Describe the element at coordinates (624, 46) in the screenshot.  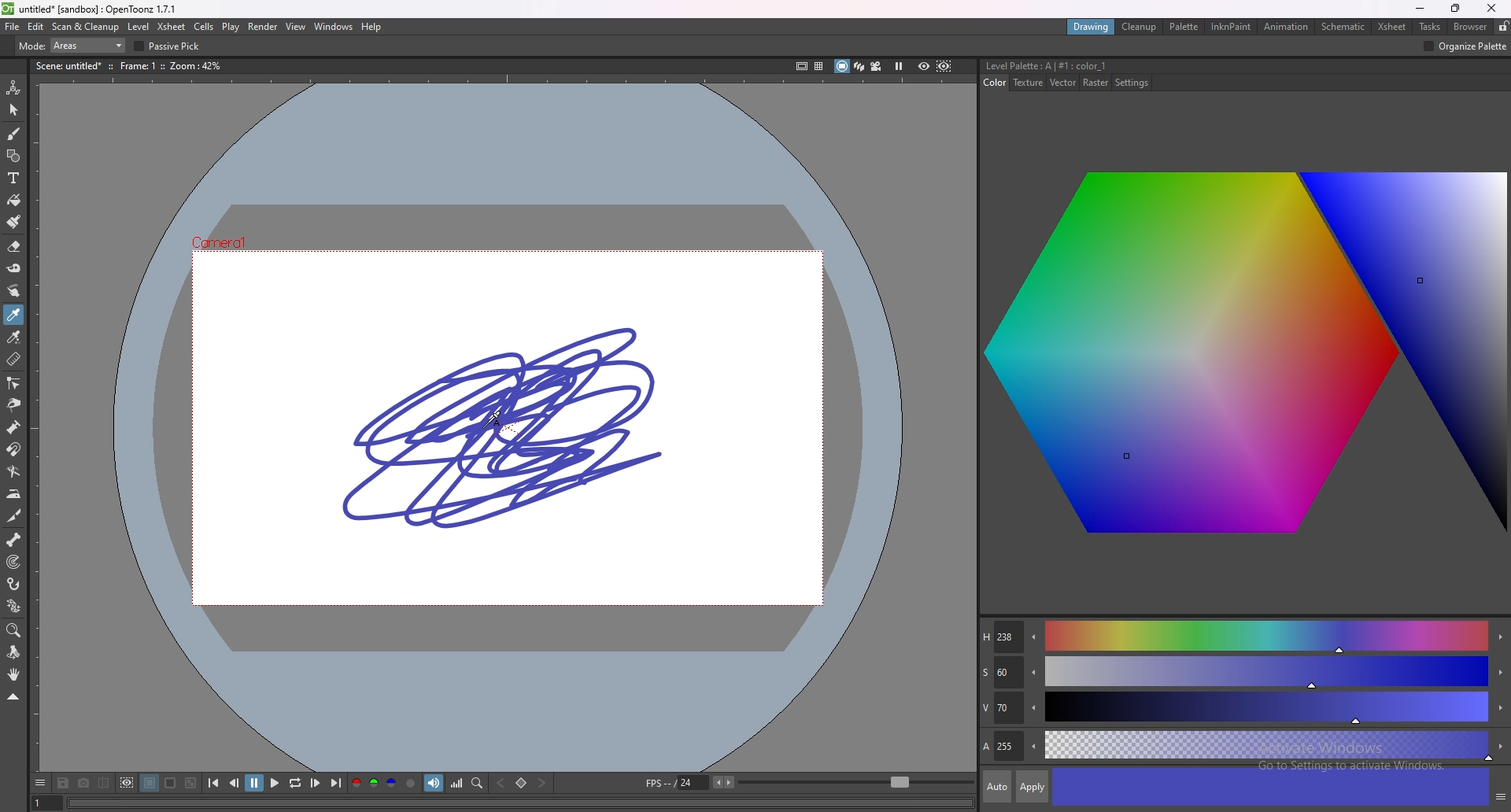
I see `flip selection horizontally` at that location.